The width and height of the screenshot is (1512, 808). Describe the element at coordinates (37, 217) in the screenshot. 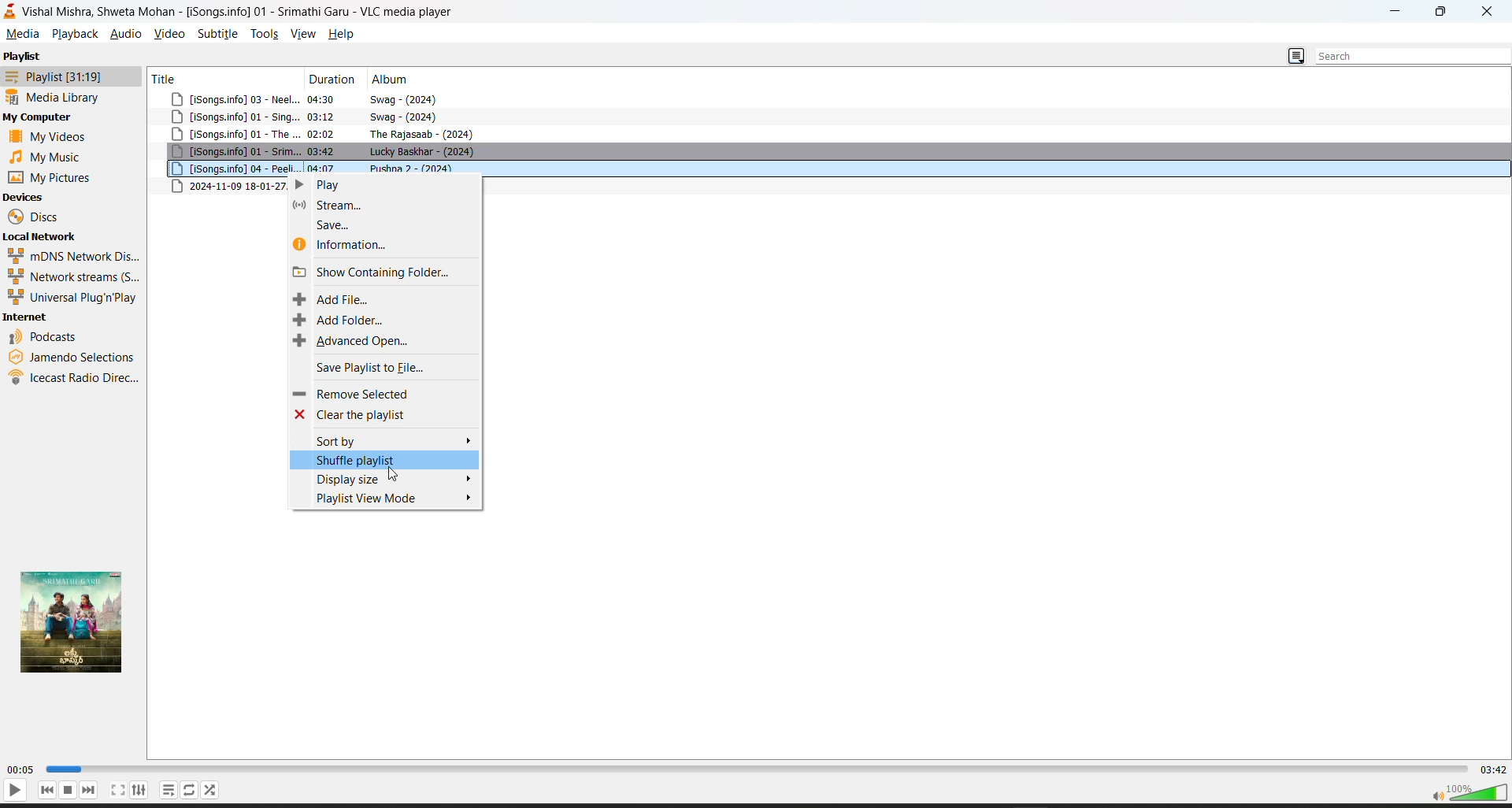

I see `discs` at that location.